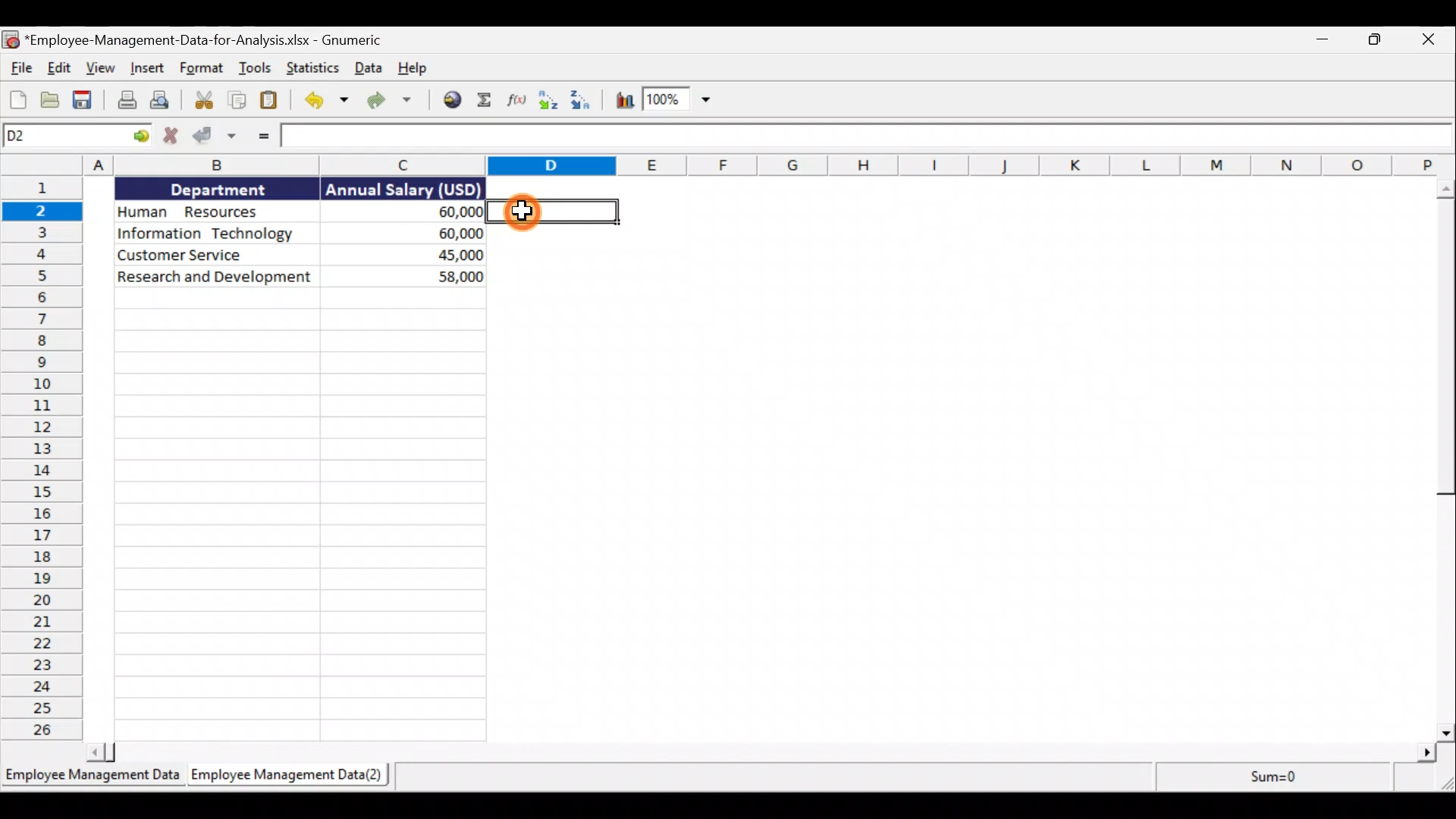  I want to click on Enter Formula, so click(263, 139).